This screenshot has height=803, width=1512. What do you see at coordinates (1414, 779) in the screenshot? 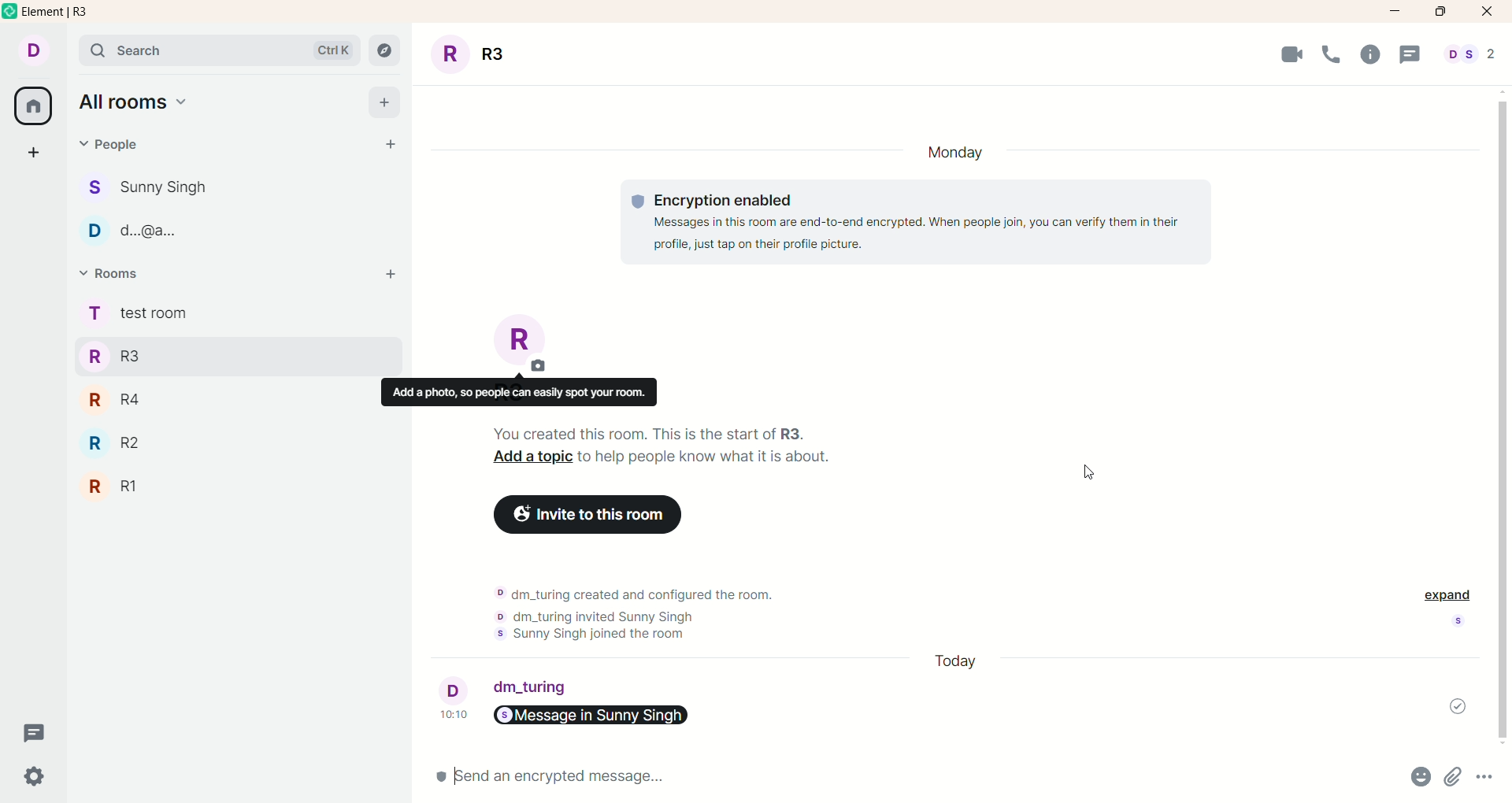
I see `emojis` at bounding box center [1414, 779].